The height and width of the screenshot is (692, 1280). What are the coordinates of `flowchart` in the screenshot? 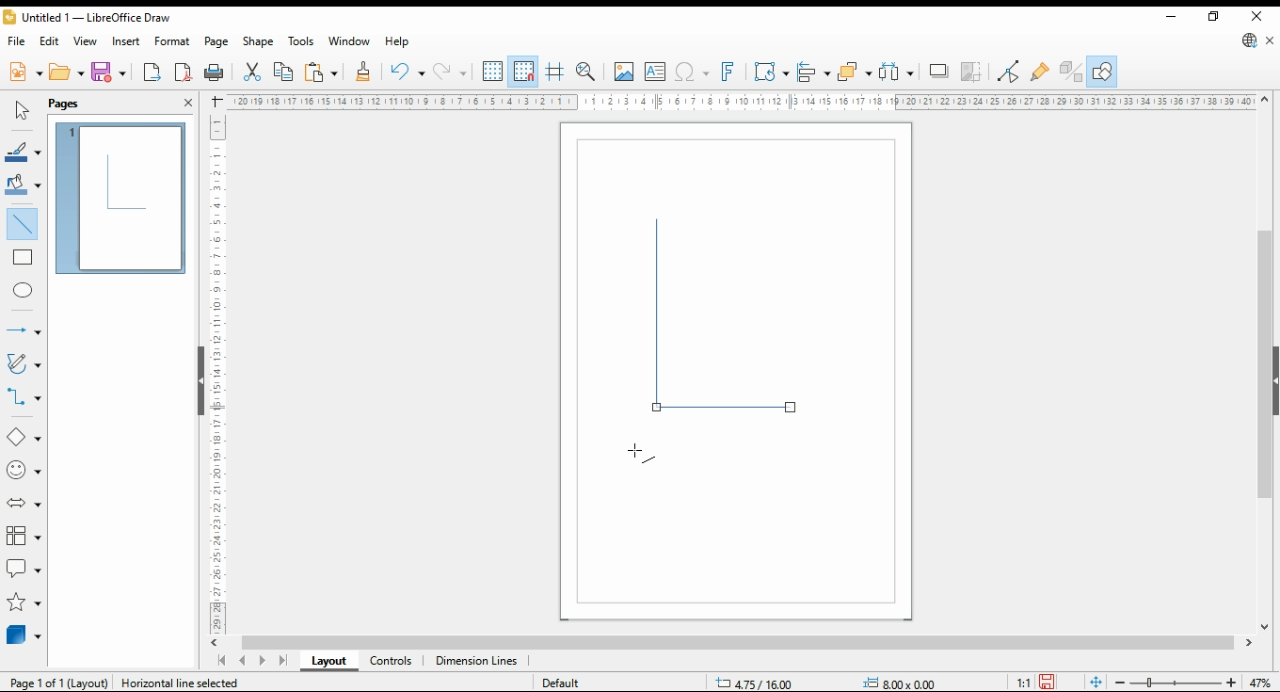 It's located at (24, 537).